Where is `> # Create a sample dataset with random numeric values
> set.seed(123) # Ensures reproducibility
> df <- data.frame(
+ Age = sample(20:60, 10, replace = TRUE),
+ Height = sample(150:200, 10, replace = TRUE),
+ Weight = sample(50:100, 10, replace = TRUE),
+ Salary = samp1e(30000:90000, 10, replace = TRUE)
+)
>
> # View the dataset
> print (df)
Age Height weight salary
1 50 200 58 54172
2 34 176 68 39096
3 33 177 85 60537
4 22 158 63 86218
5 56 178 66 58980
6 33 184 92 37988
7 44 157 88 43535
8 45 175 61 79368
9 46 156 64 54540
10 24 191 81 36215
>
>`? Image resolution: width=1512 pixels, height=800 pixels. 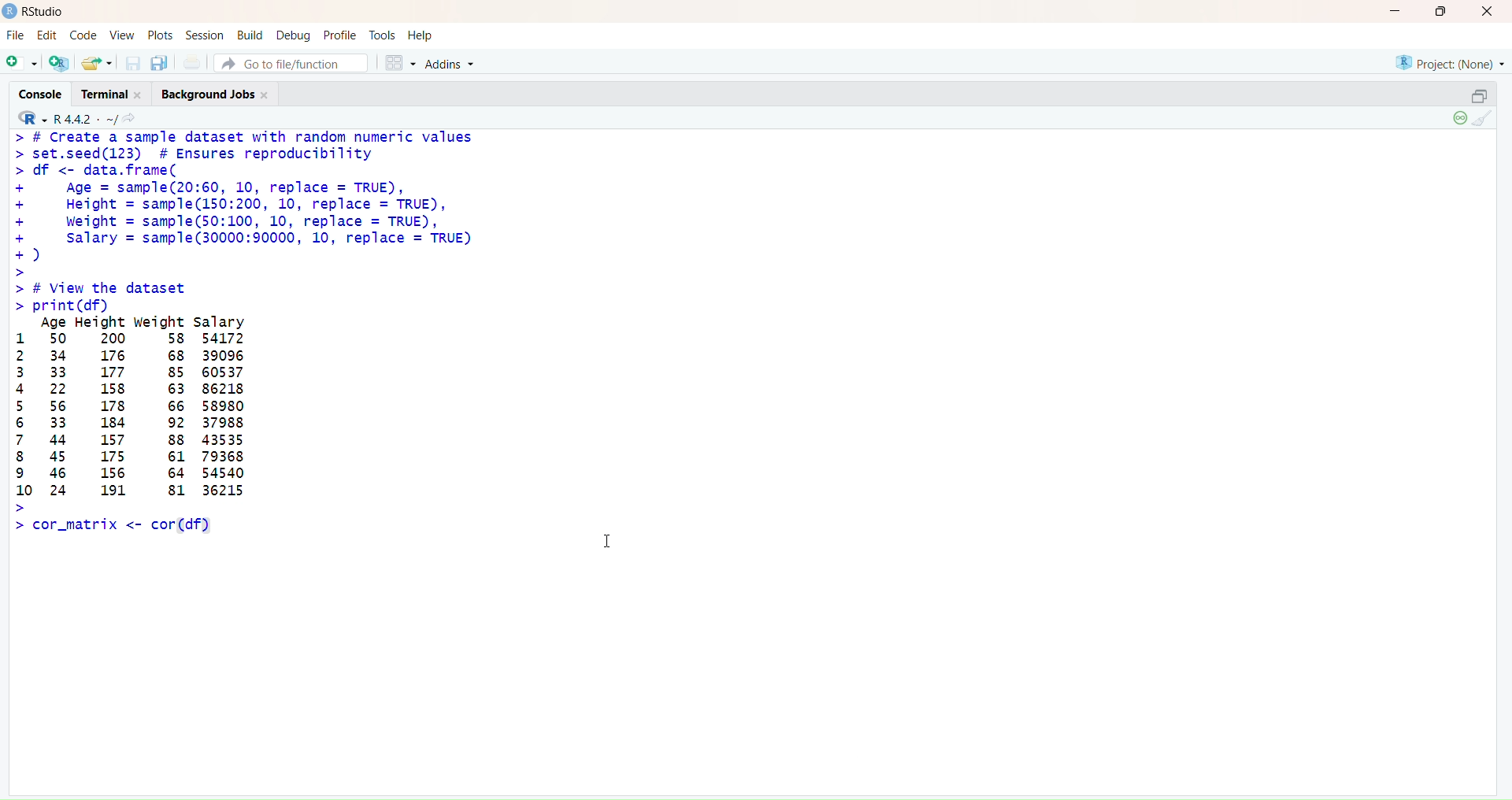 > # Create a sample dataset with random numeric values
> set.seed(123) # Ensures reproducibility
> df <- data.frame(
+ Age = sample(20:60, 10, replace = TRUE),
+ Height = sample(150:200, 10, replace = TRUE),
+ Weight = sample(50:100, 10, replace = TRUE),
+ Salary = samp1e(30000:90000, 10, replace = TRUE)
+)
>
> # View the dataset
> print (df)
Age Height weight salary
1 50 200 58 54172
2 34 176 68 39096
3 33 177 85 60537
4 22 158 63 86218
5 56 178 66 58980
6 33 184 92 37988
7 44 157 88 43535
8 45 175 61 79368
9 46 156 64 54540
10 24 191 81 36215
>
> is located at coordinates (264, 334).